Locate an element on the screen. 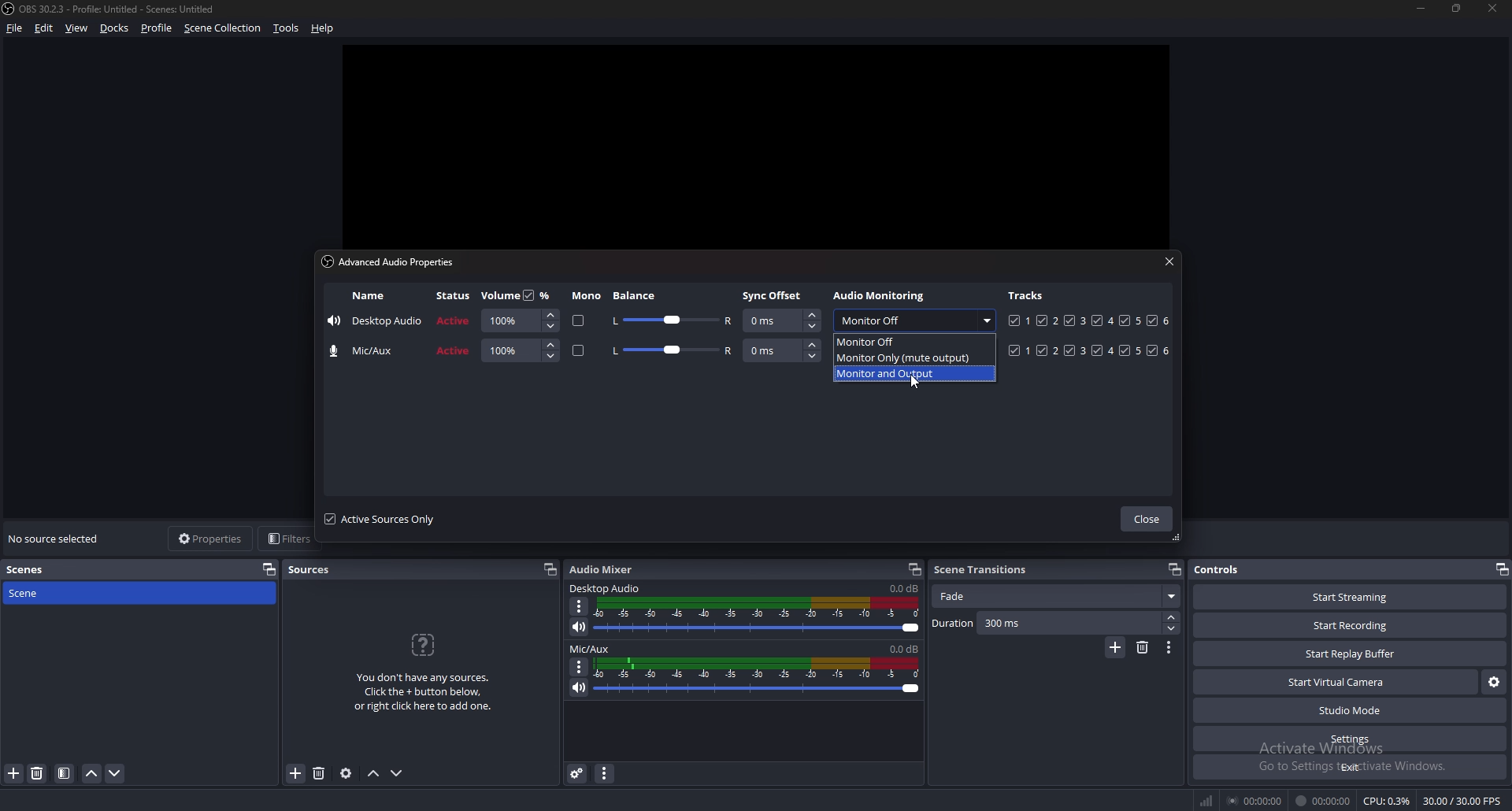 Image resolution: width=1512 pixels, height=811 pixels. fade is located at coordinates (1057, 596).